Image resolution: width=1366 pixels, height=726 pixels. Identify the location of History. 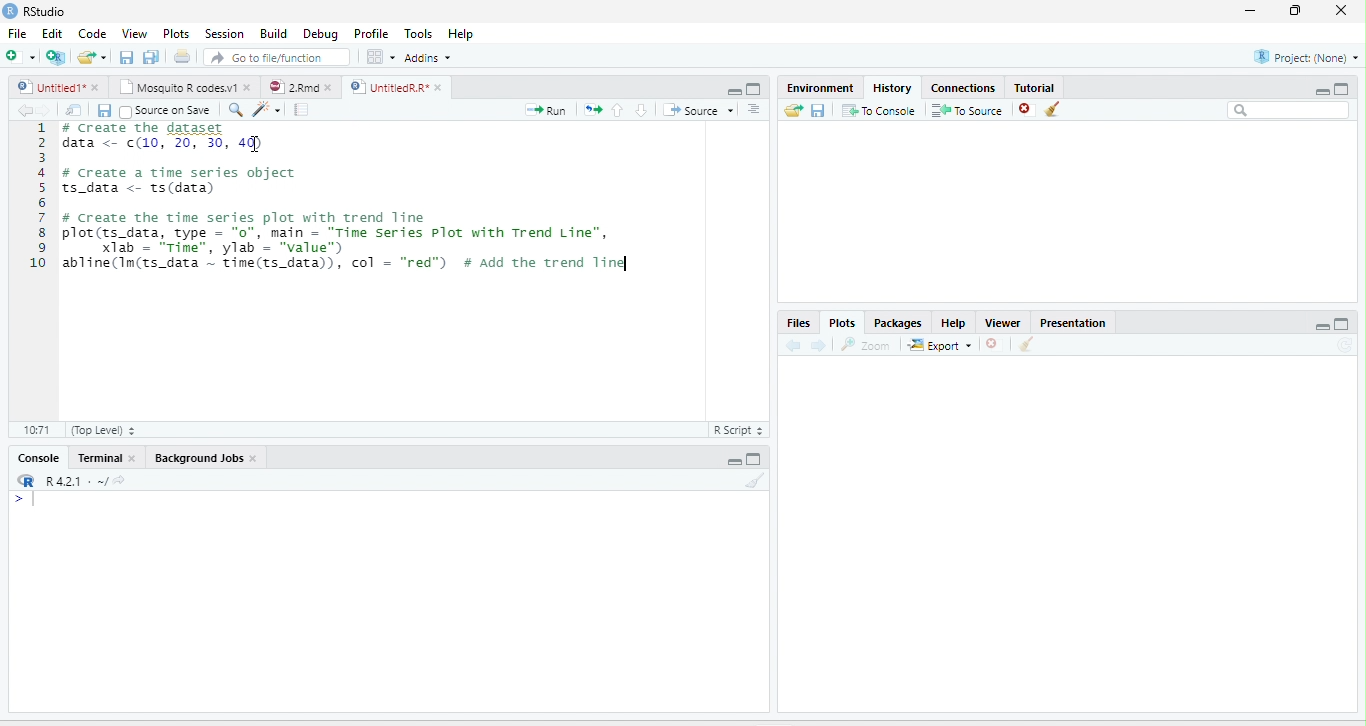
(893, 87).